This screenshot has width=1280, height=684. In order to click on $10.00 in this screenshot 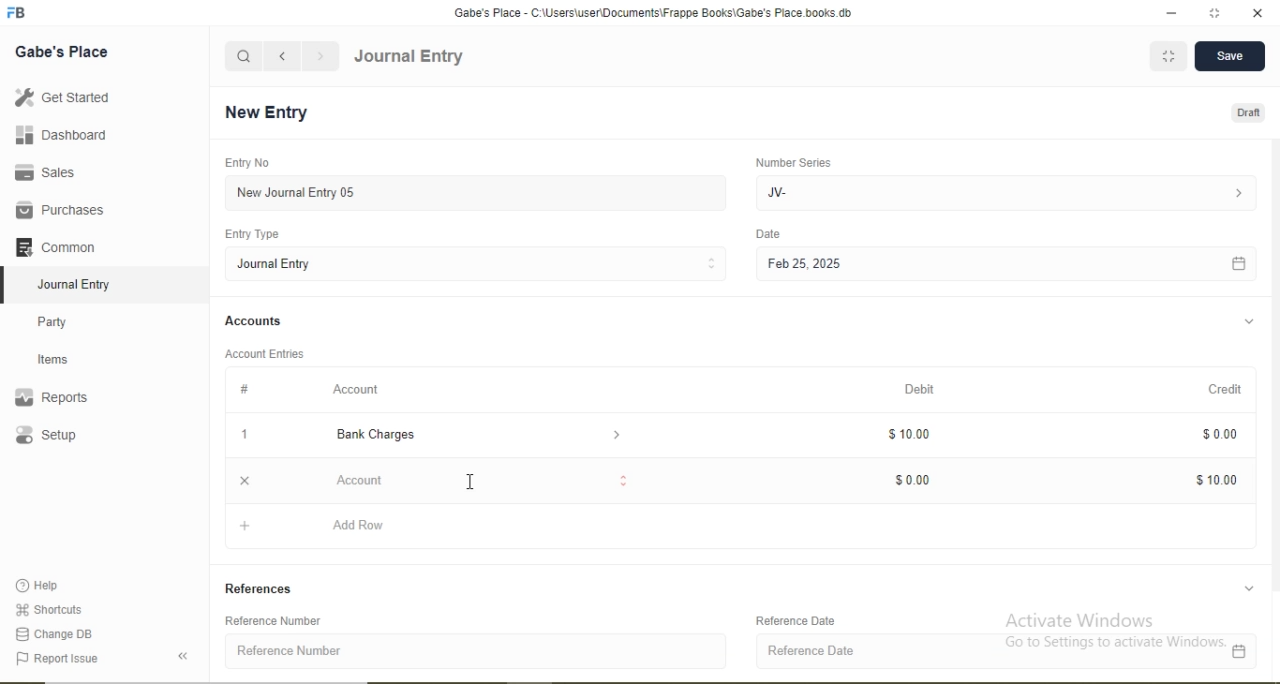, I will do `click(1218, 480)`.